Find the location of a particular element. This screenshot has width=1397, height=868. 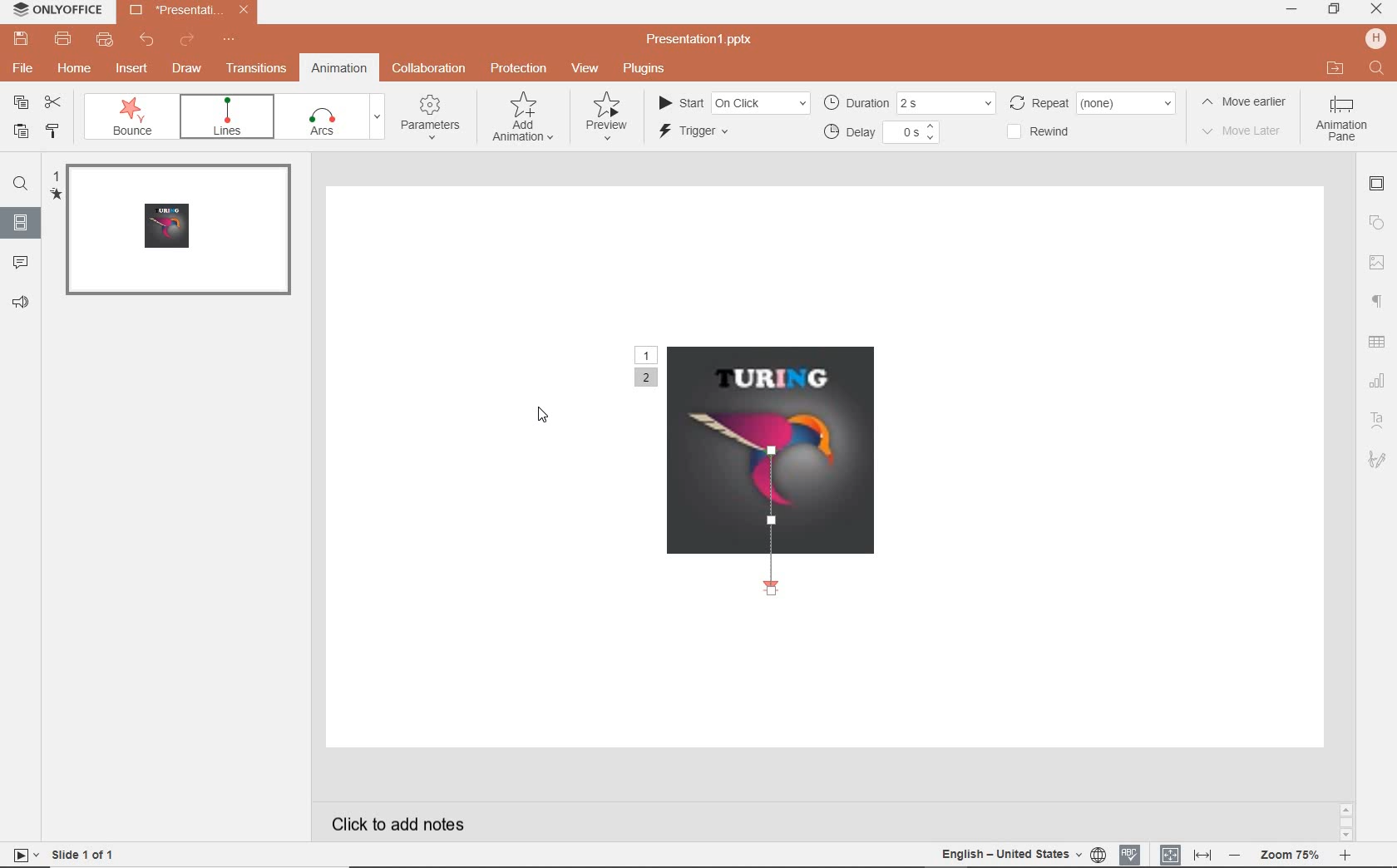

repeat is located at coordinates (1093, 101).